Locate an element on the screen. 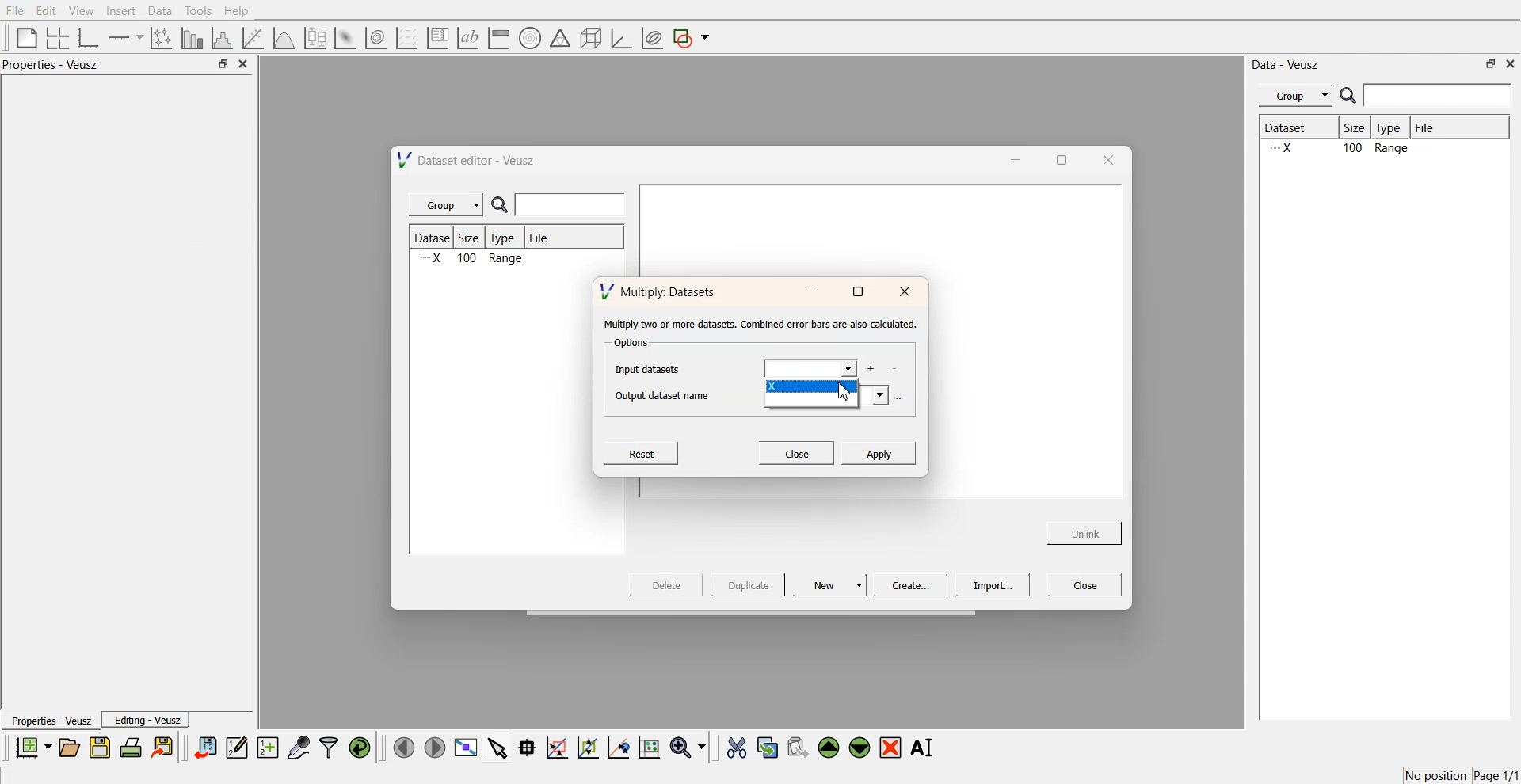  minimise or maximise is located at coordinates (223, 64).